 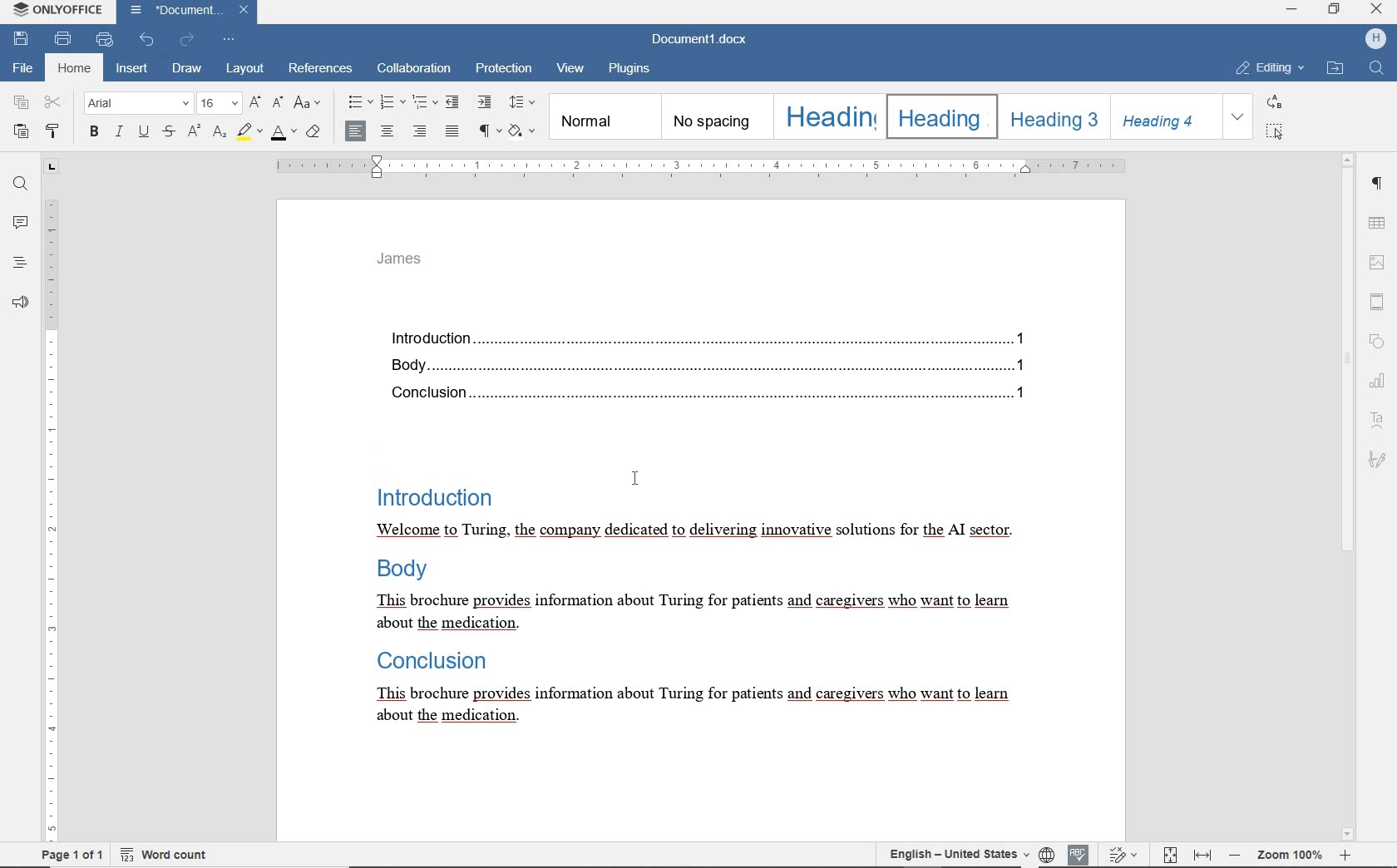 I want to click on find, so click(x=20, y=185).